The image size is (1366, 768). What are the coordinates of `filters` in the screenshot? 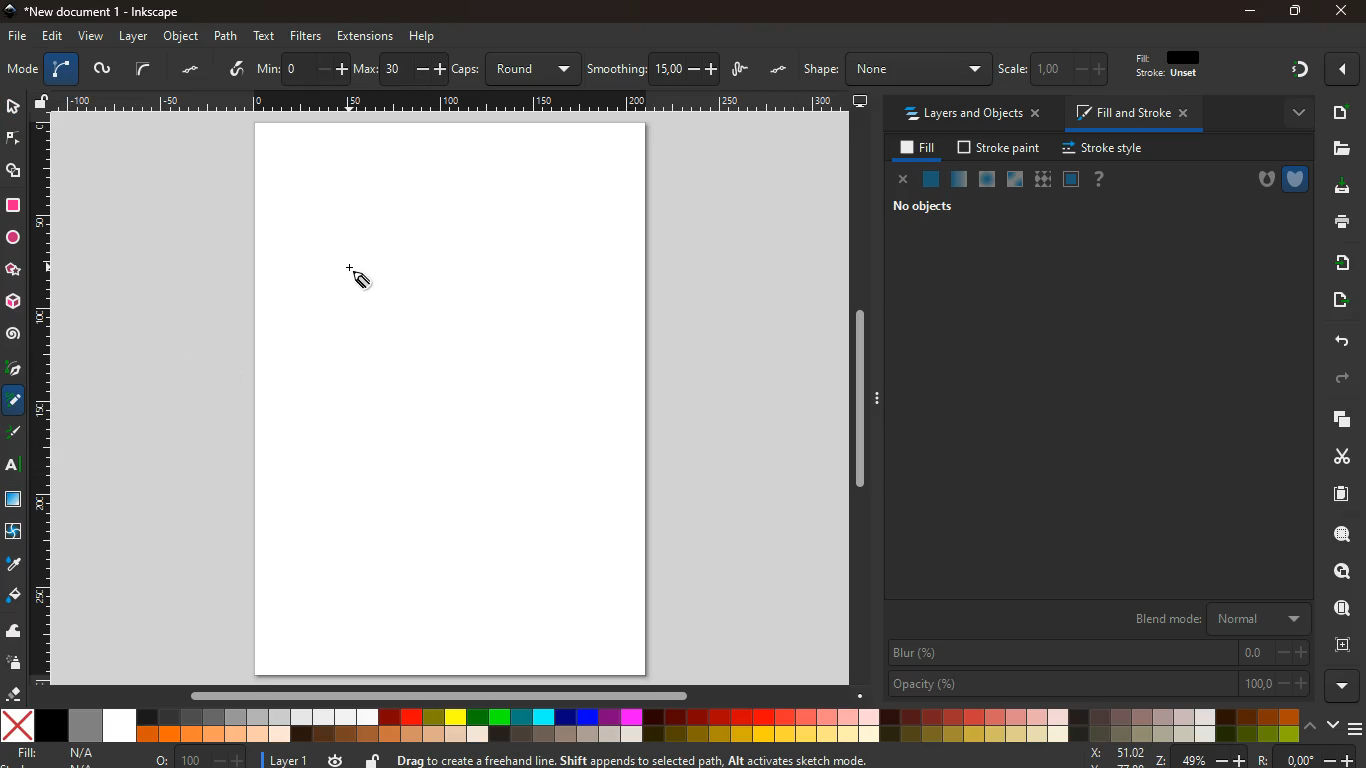 It's located at (309, 36).